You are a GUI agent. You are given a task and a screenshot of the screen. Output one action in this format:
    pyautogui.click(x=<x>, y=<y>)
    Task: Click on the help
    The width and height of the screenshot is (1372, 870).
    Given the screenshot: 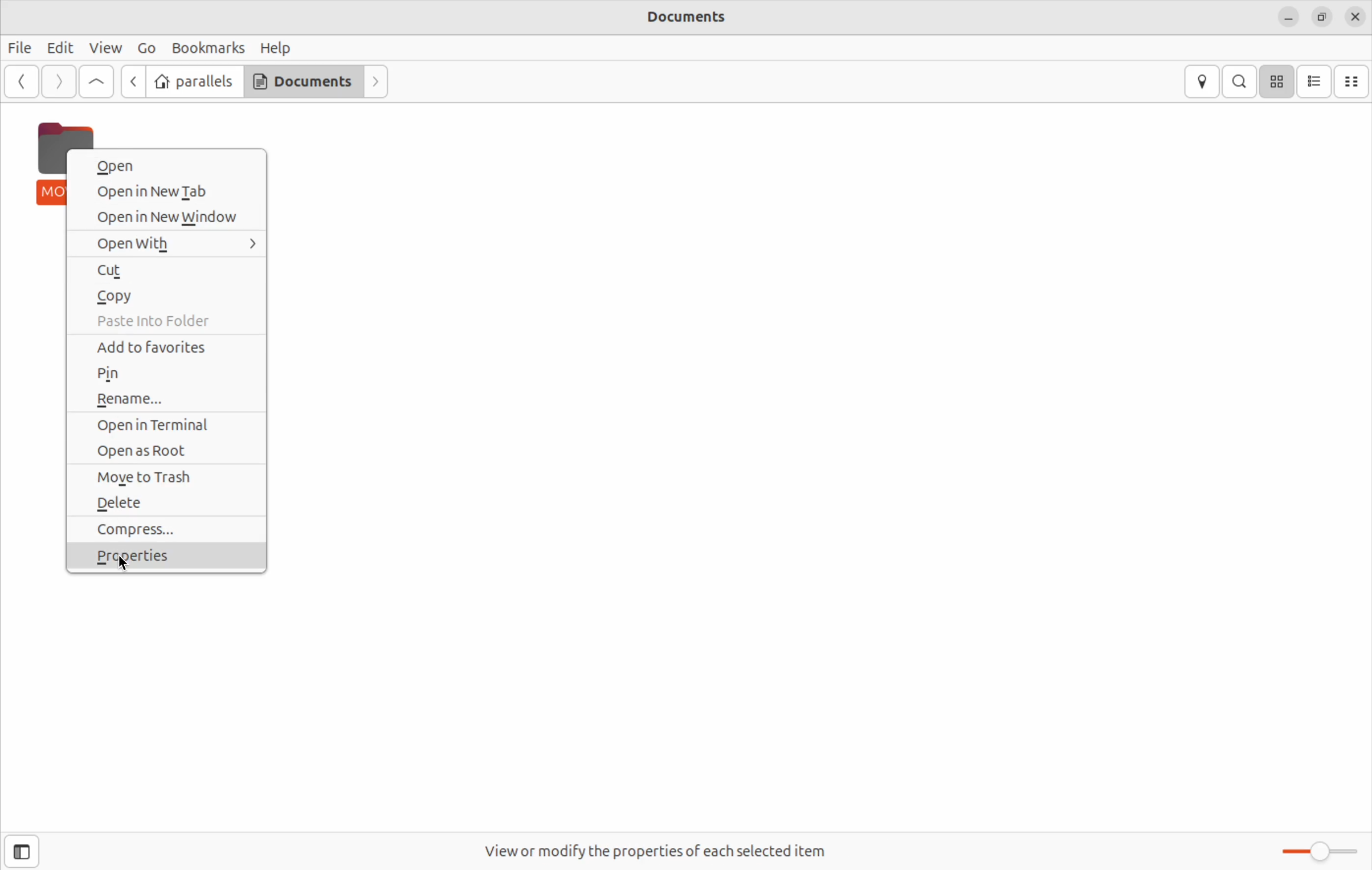 What is the action you would take?
    pyautogui.click(x=281, y=49)
    